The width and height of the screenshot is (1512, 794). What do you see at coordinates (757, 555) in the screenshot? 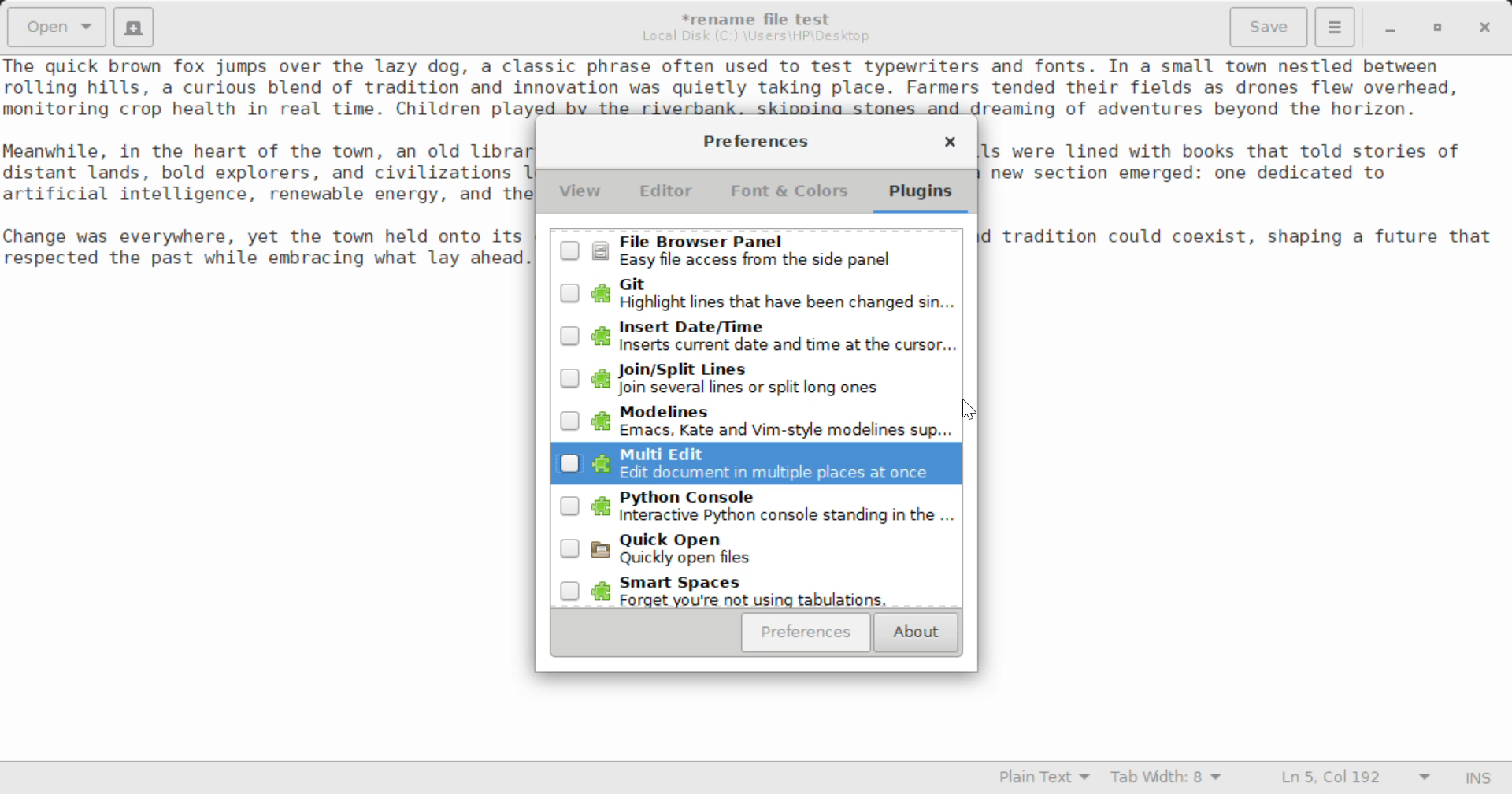
I see `Unselected Quickly Open Plugin` at bounding box center [757, 555].